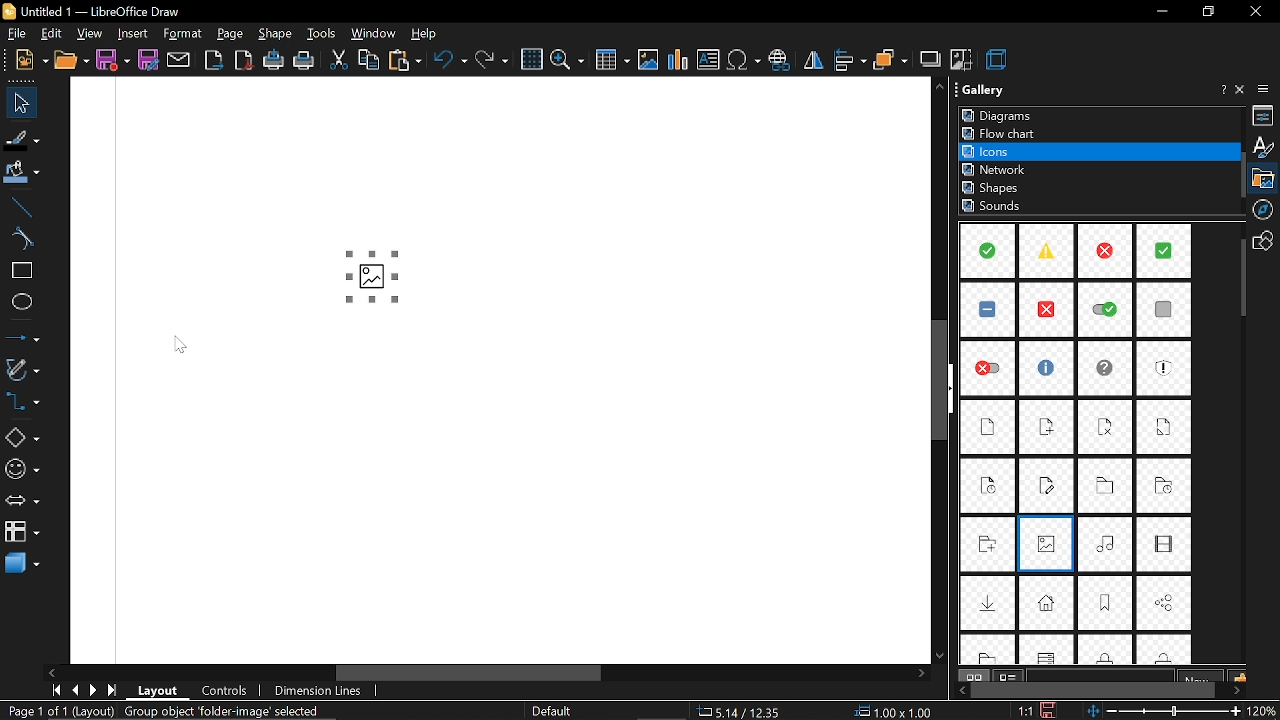  I want to click on horizontal scrollbar, so click(630, 673).